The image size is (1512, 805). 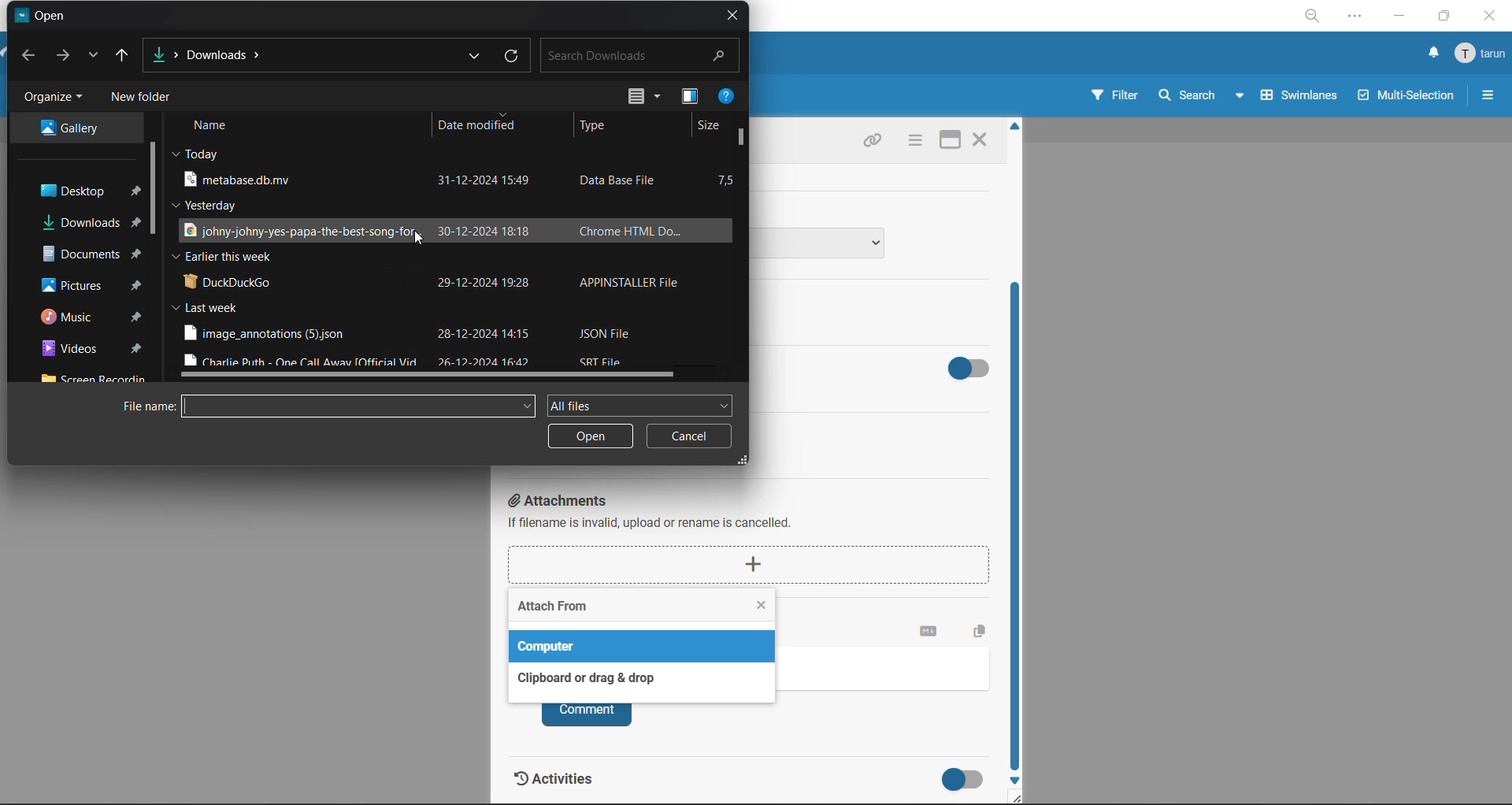 What do you see at coordinates (639, 403) in the screenshot?
I see `all files` at bounding box center [639, 403].